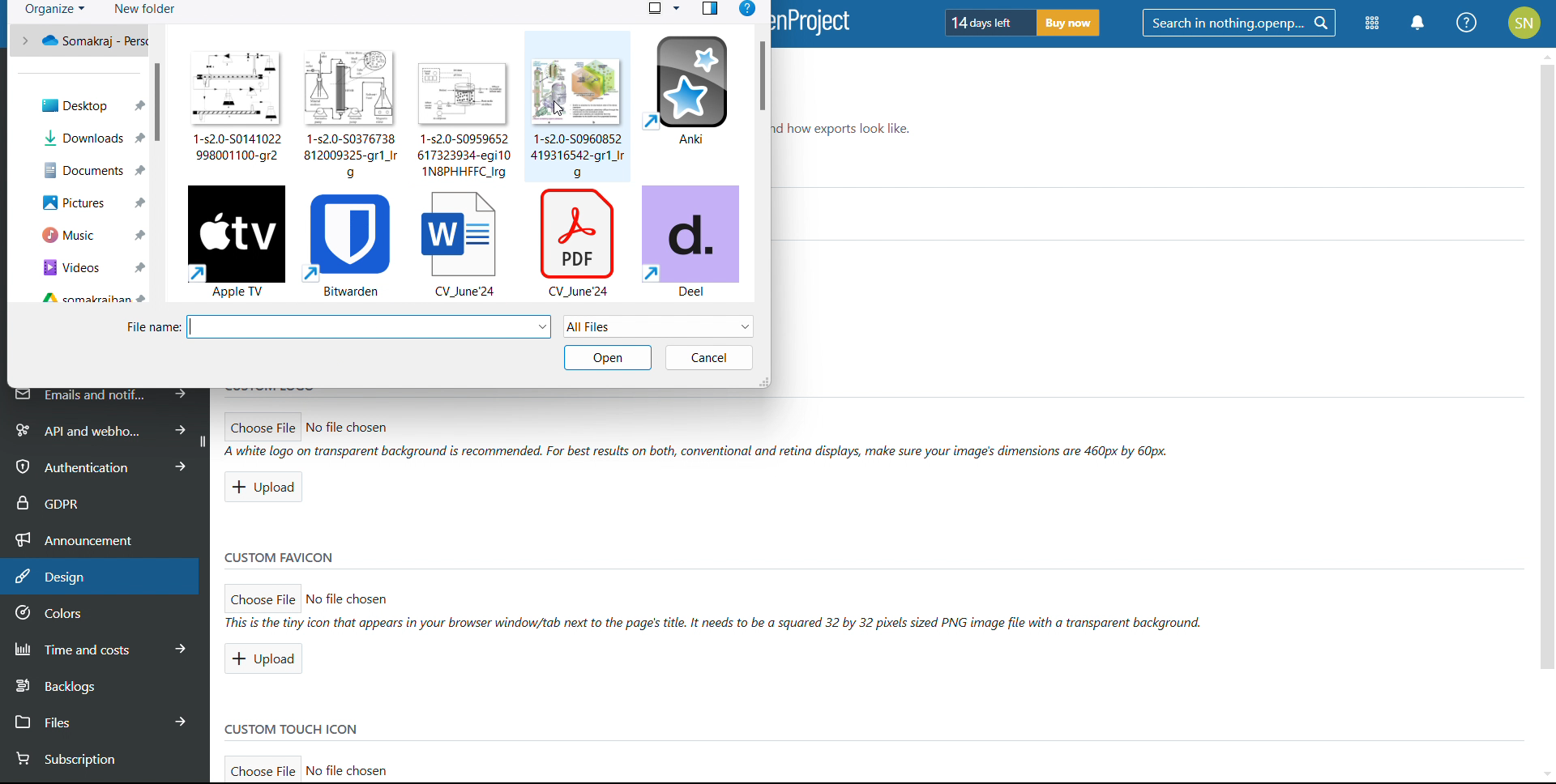 This screenshot has height=784, width=1556. Describe the element at coordinates (202, 441) in the screenshot. I see `collapse` at that location.